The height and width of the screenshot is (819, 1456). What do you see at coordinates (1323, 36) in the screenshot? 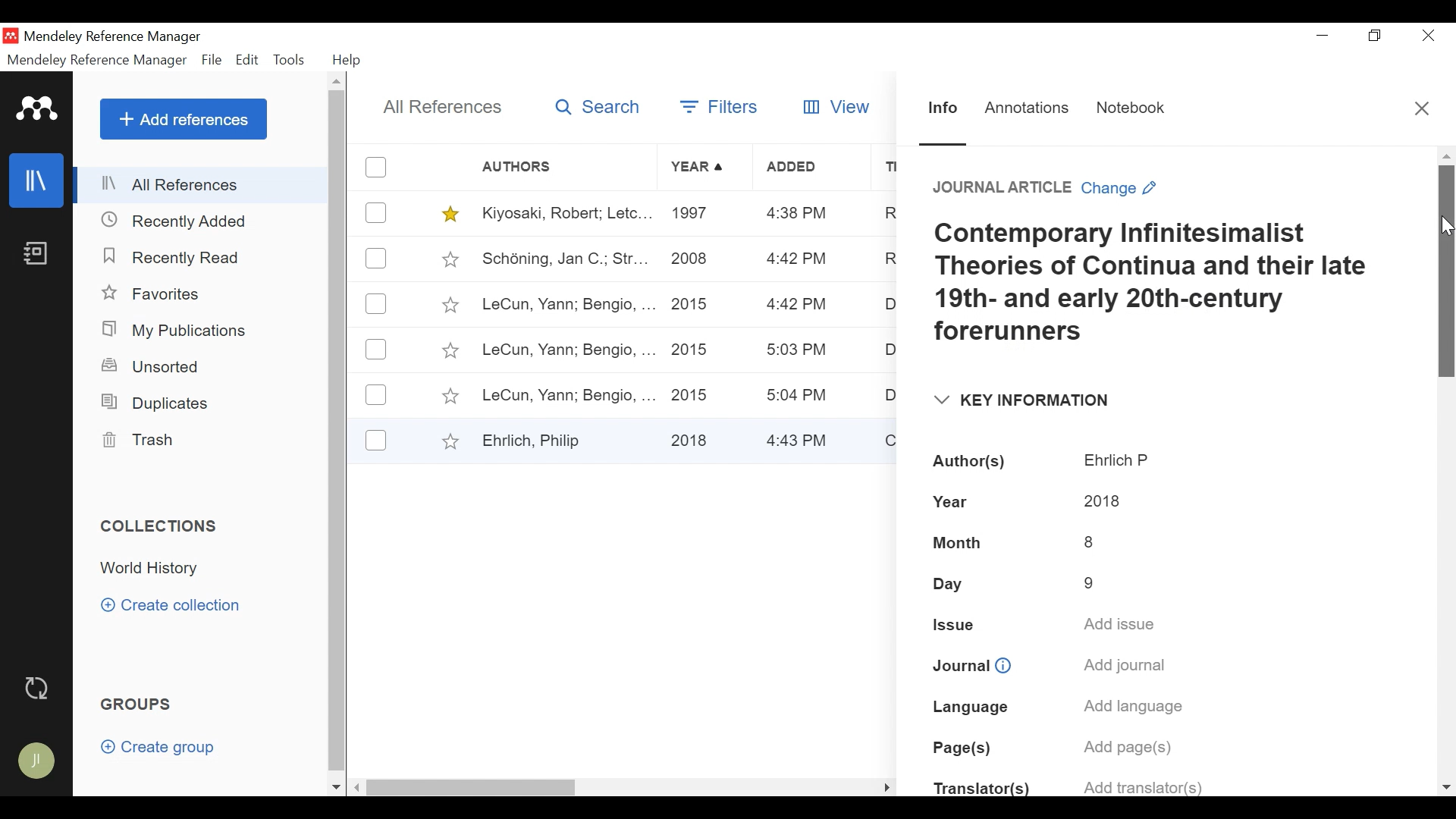
I see `minimize` at bounding box center [1323, 36].